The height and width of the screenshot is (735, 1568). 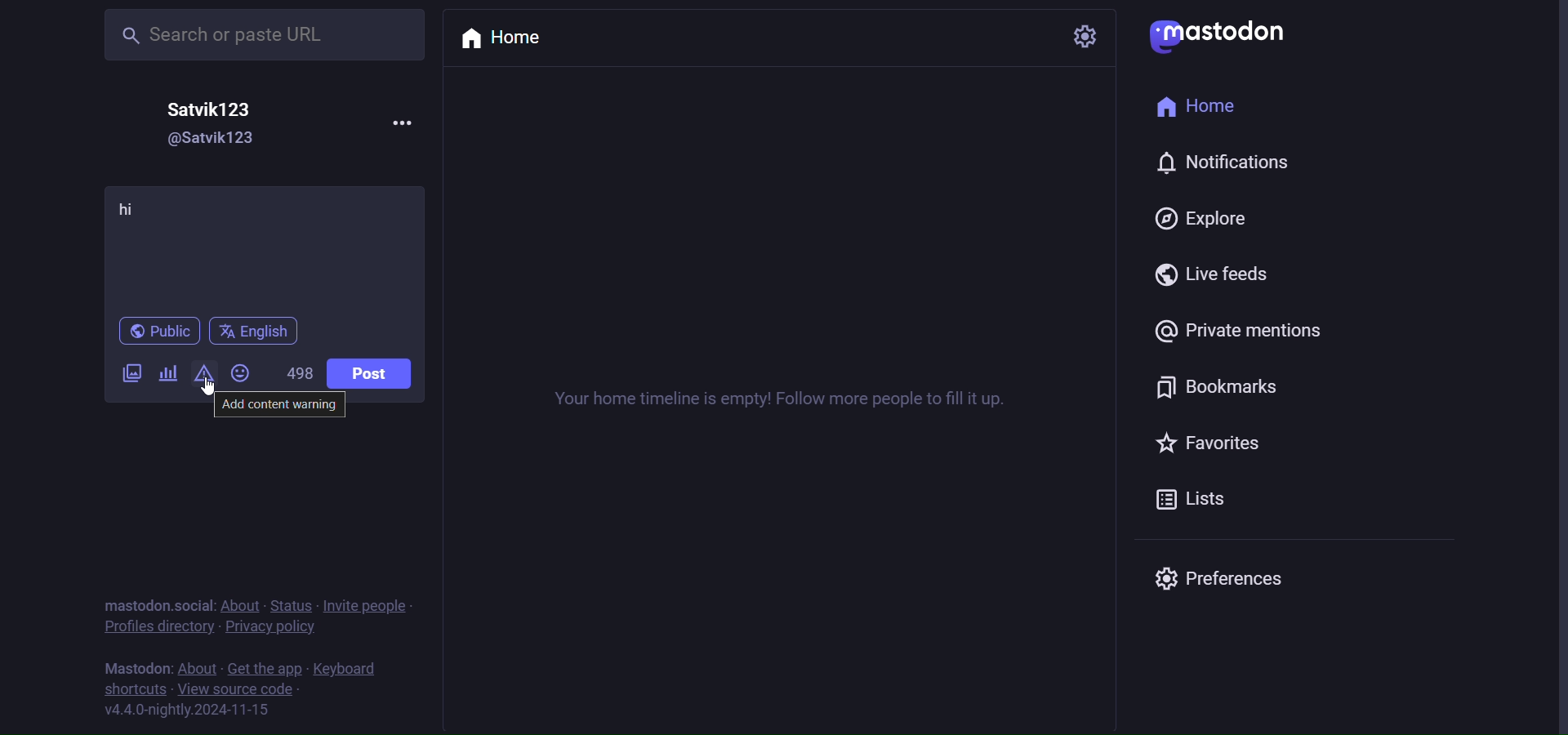 What do you see at coordinates (244, 34) in the screenshot?
I see `search` at bounding box center [244, 34].